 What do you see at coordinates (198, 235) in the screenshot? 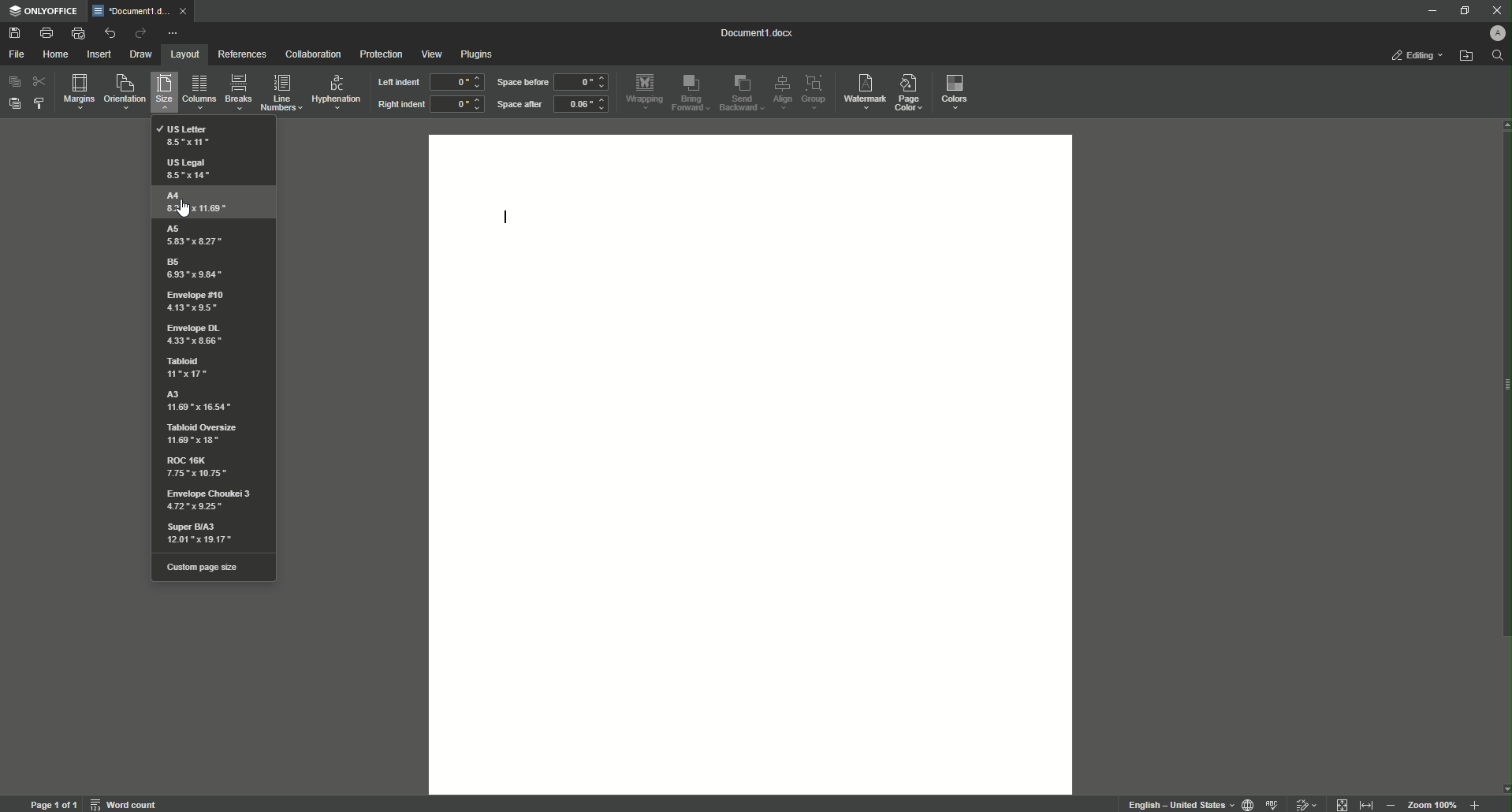
I see `A5` at bounding box center [198, 235].